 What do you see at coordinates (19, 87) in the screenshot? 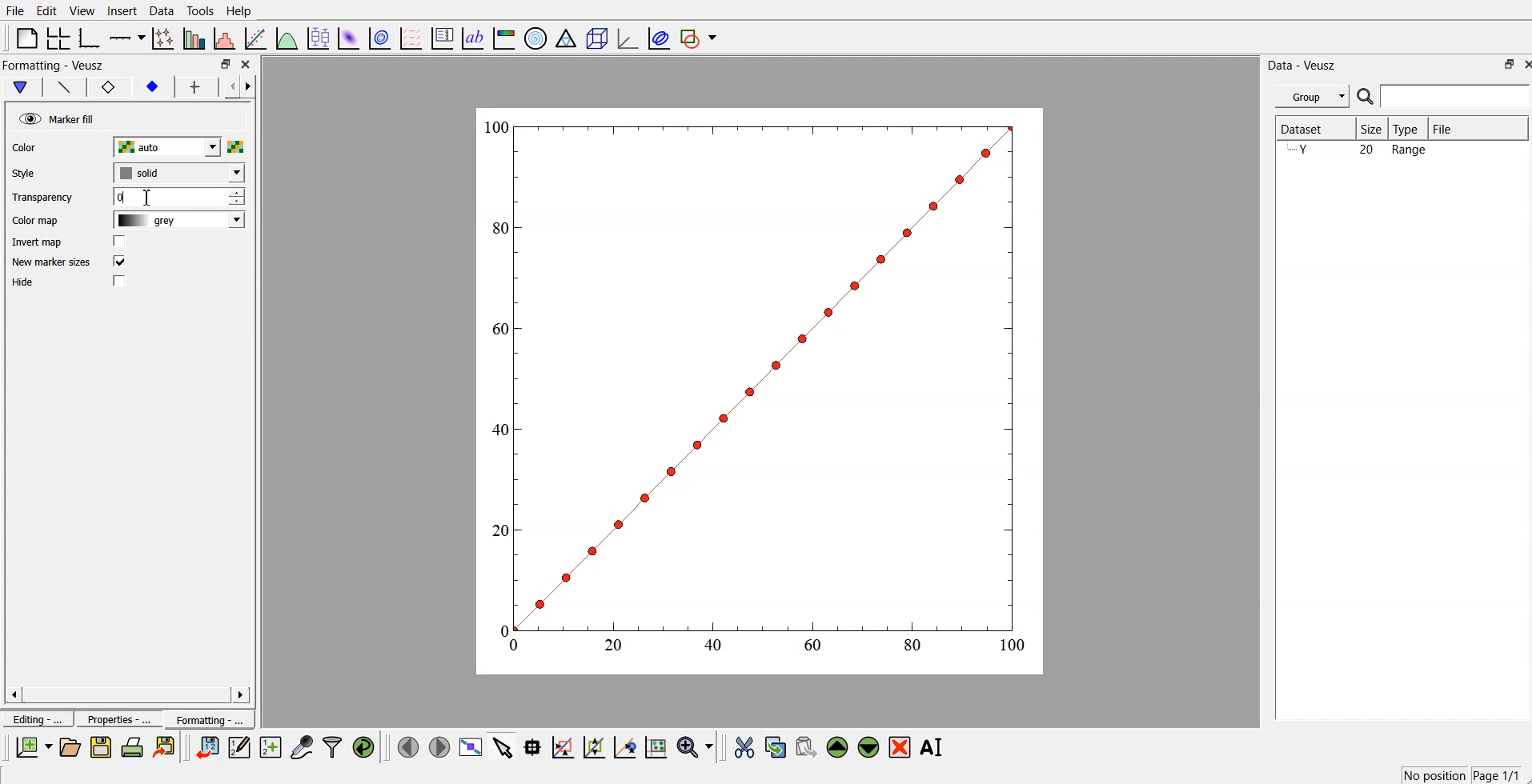
I see `shape fill` at bounding box center [19, 87].